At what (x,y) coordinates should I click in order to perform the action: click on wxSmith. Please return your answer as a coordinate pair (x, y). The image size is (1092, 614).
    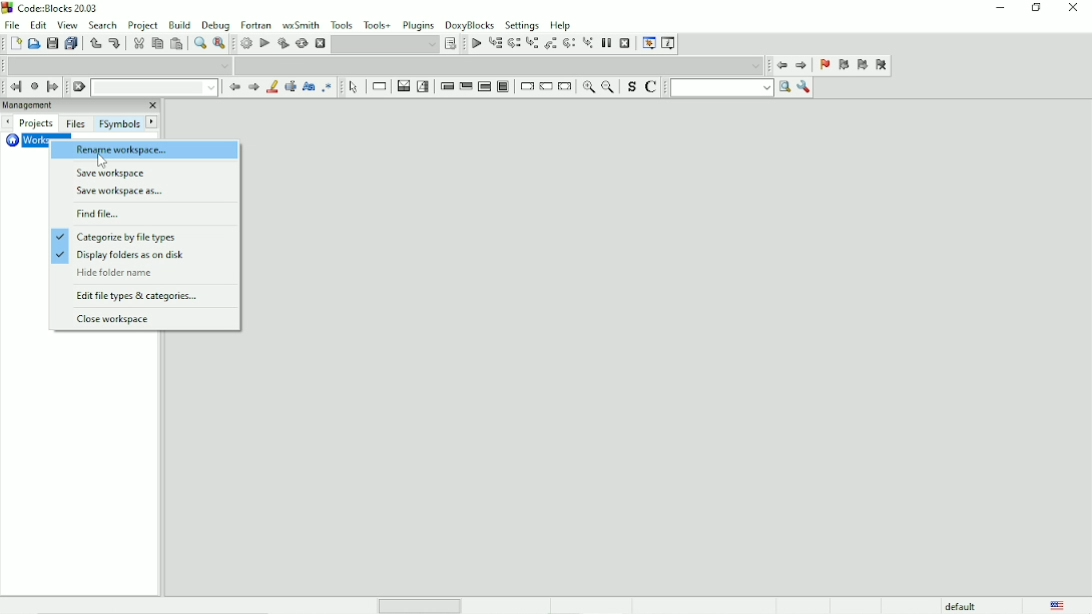
    Looking at the image, I should click on (302, 25).